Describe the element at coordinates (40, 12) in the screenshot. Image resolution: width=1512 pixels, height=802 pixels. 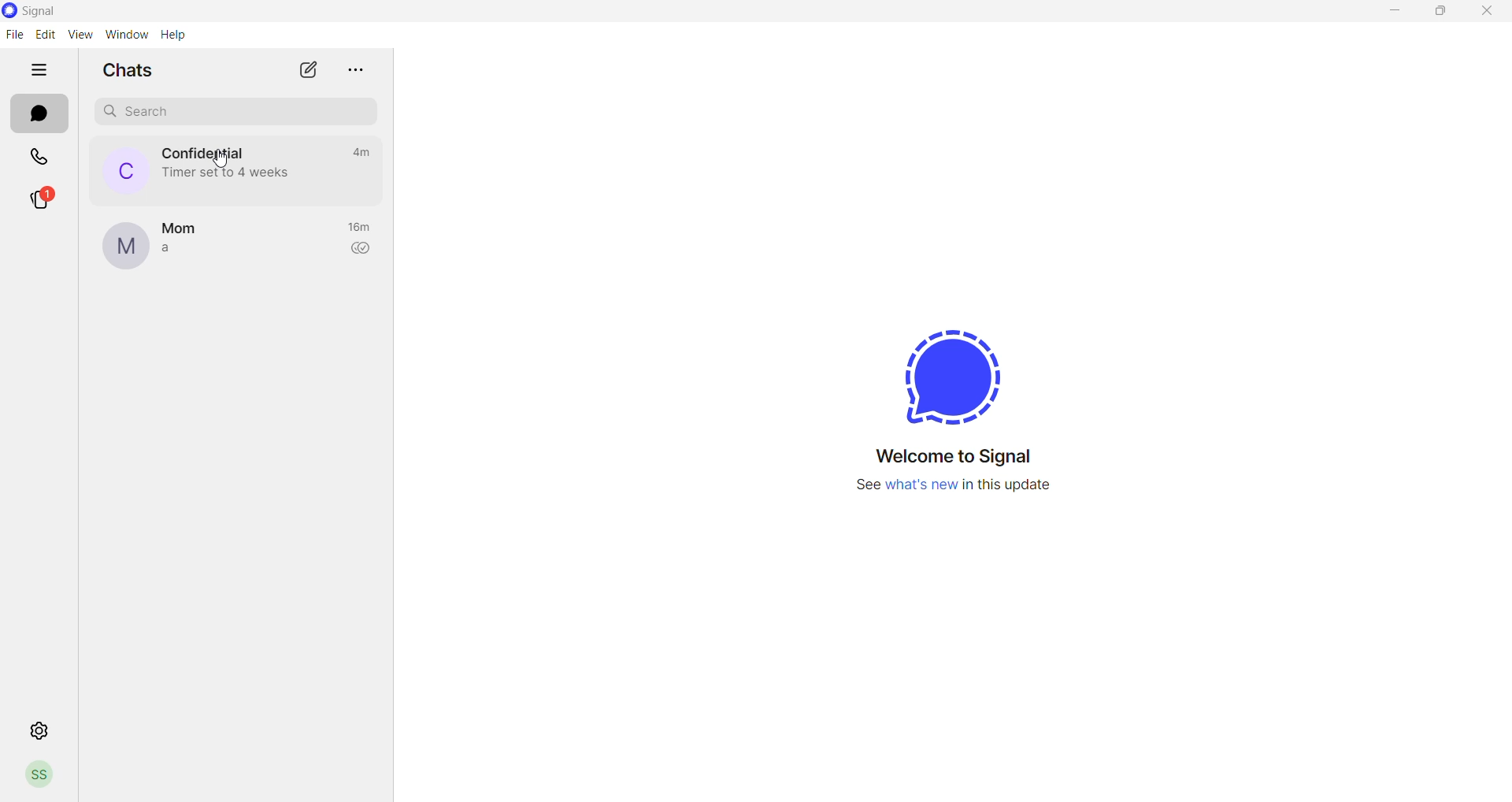
I see `application name and logo` at that location.